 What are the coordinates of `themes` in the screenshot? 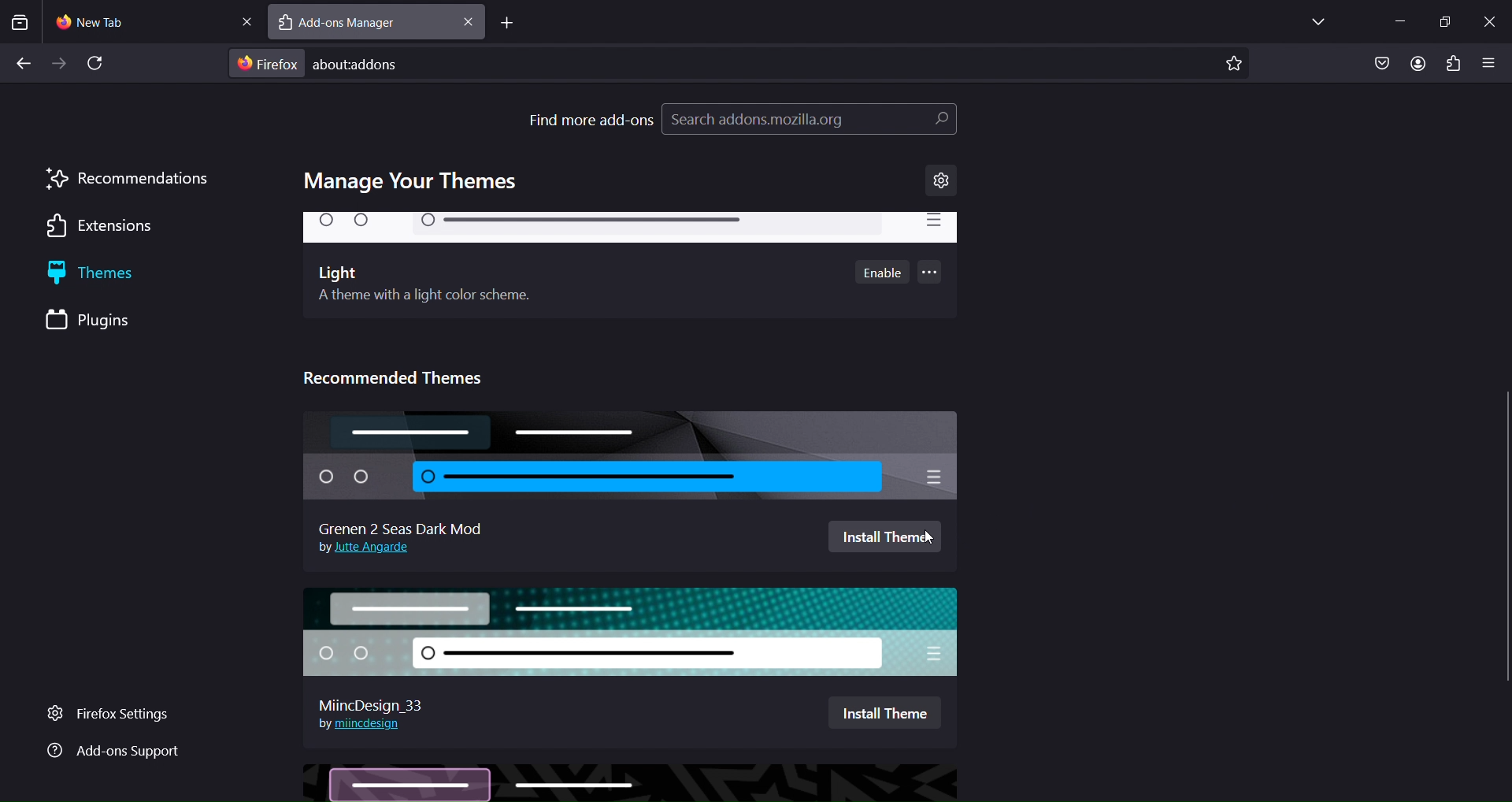 It's located at (112, 275).